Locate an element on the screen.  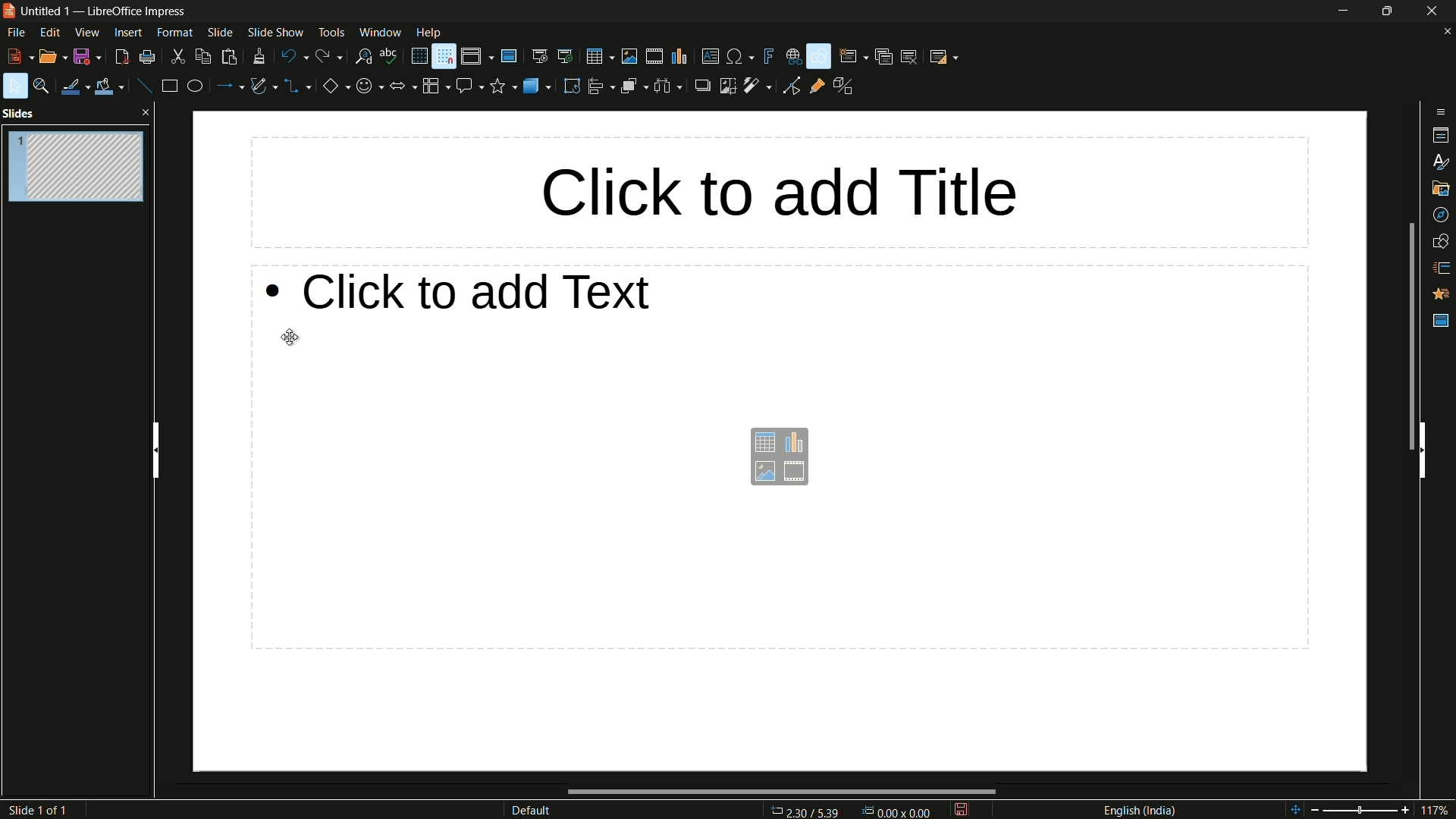
styles is located at coordinates (1439, 162).